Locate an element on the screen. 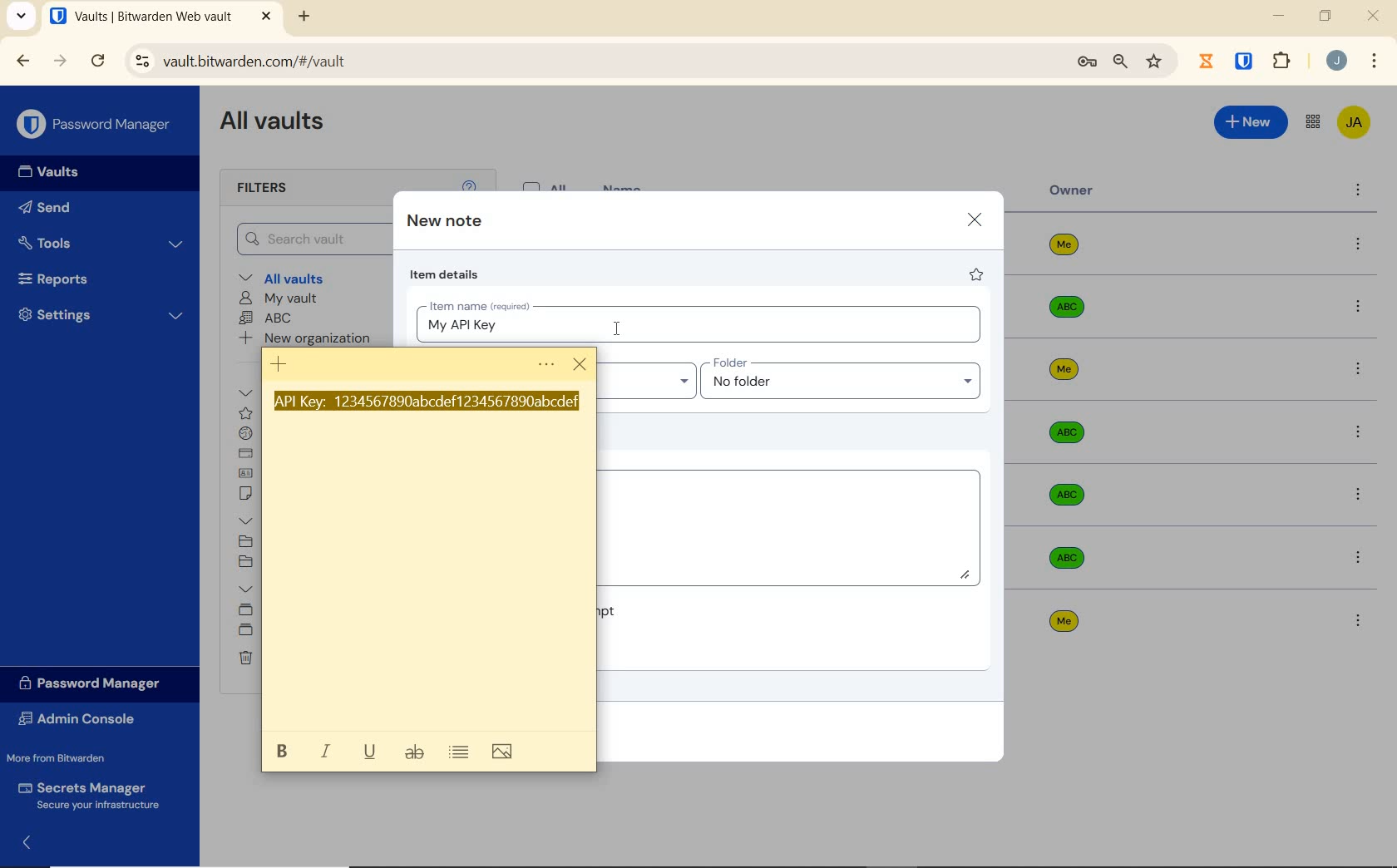 This screenshot has width=1397, height=868. owner is located at coordinates (1072, 192).